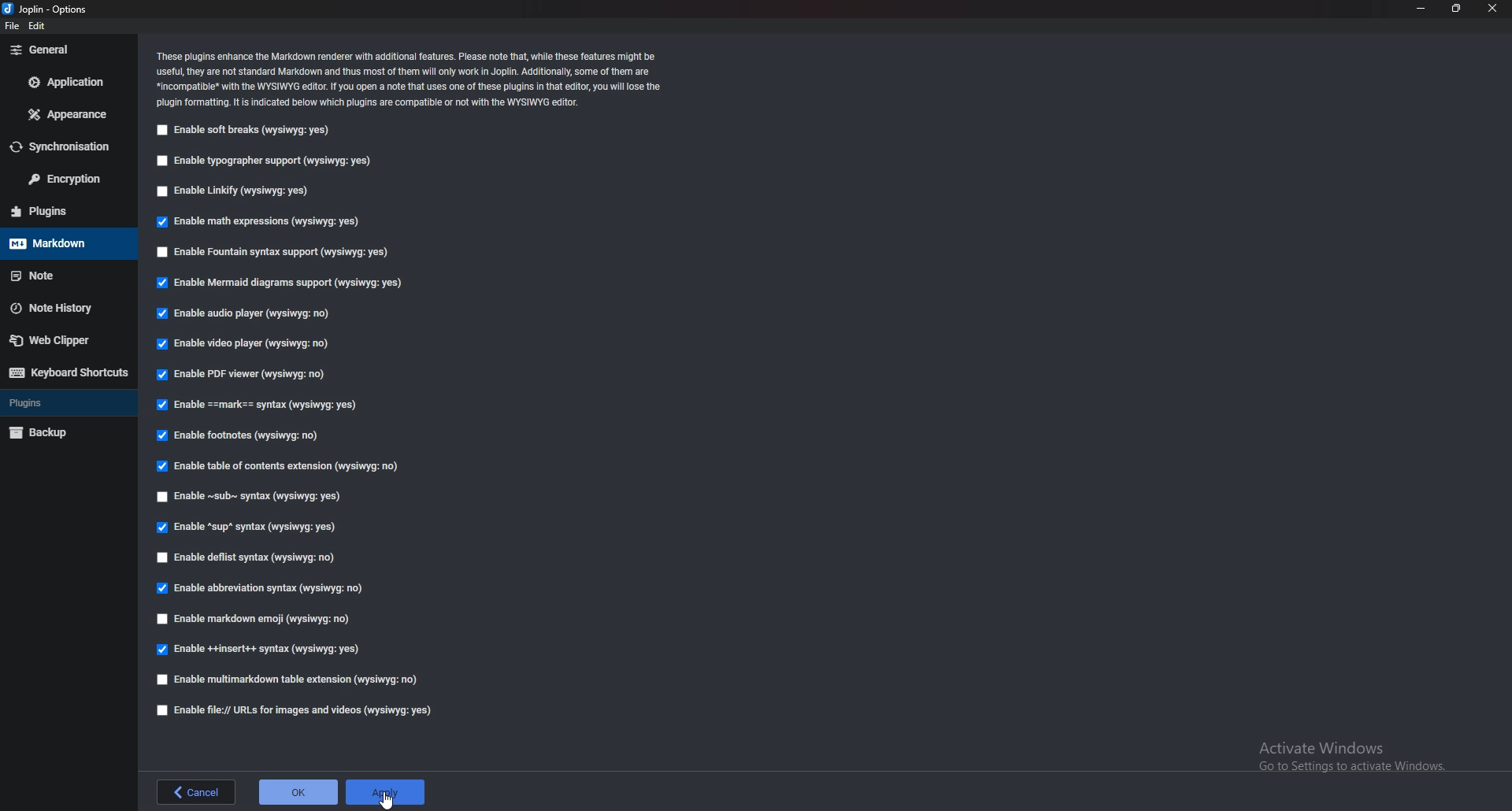 This screenshot has width=1512, height=811. I want to click on Info, so click(413, 77).